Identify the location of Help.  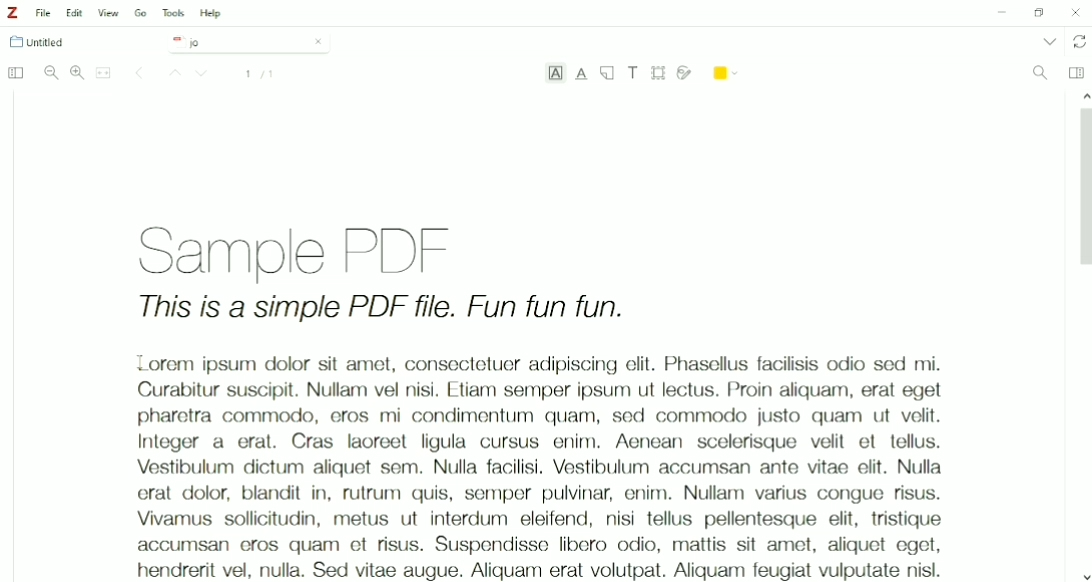
(212, 14).